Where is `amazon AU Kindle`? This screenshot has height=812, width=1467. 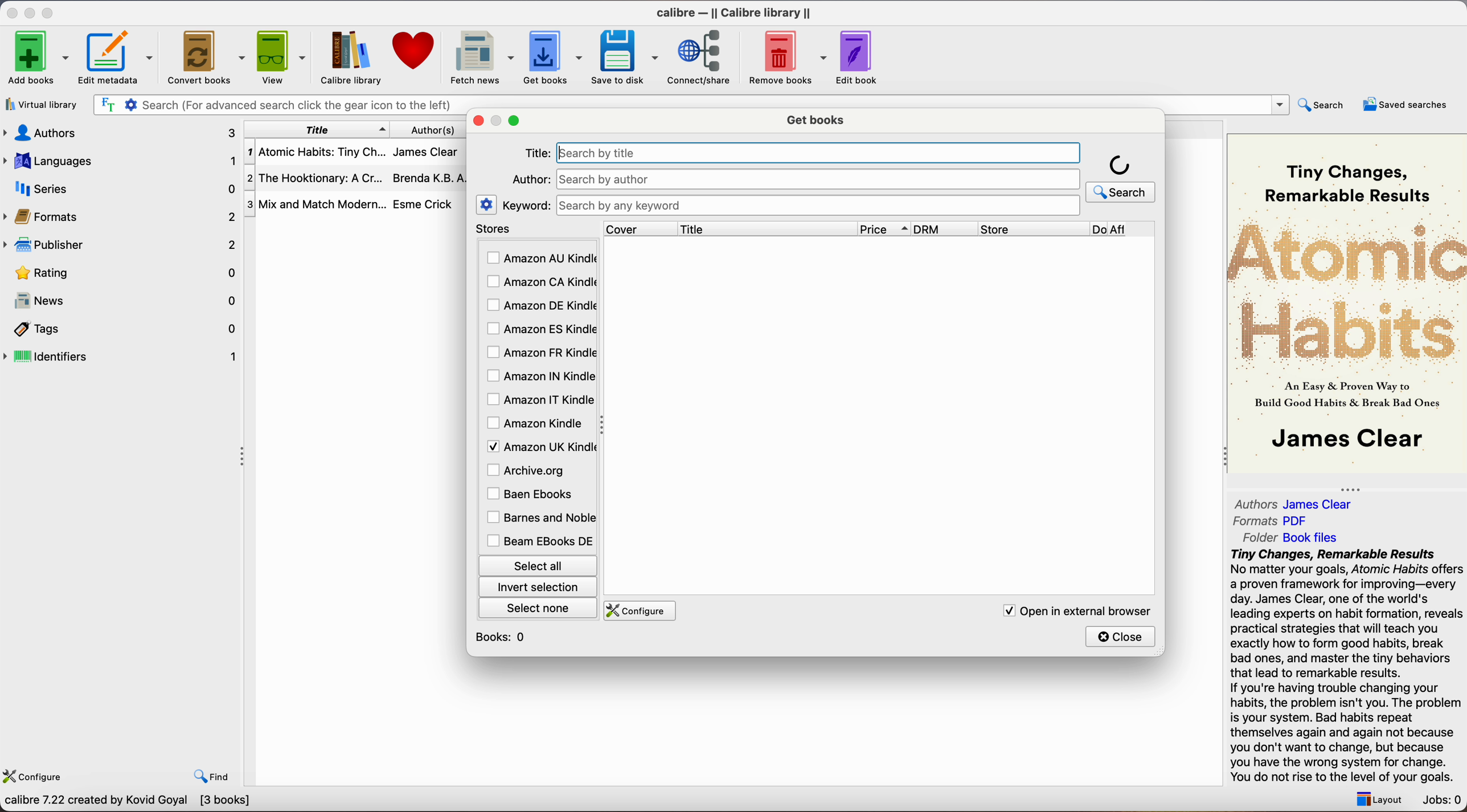 amazon AU Kindle is located at coordinates (541, 259).